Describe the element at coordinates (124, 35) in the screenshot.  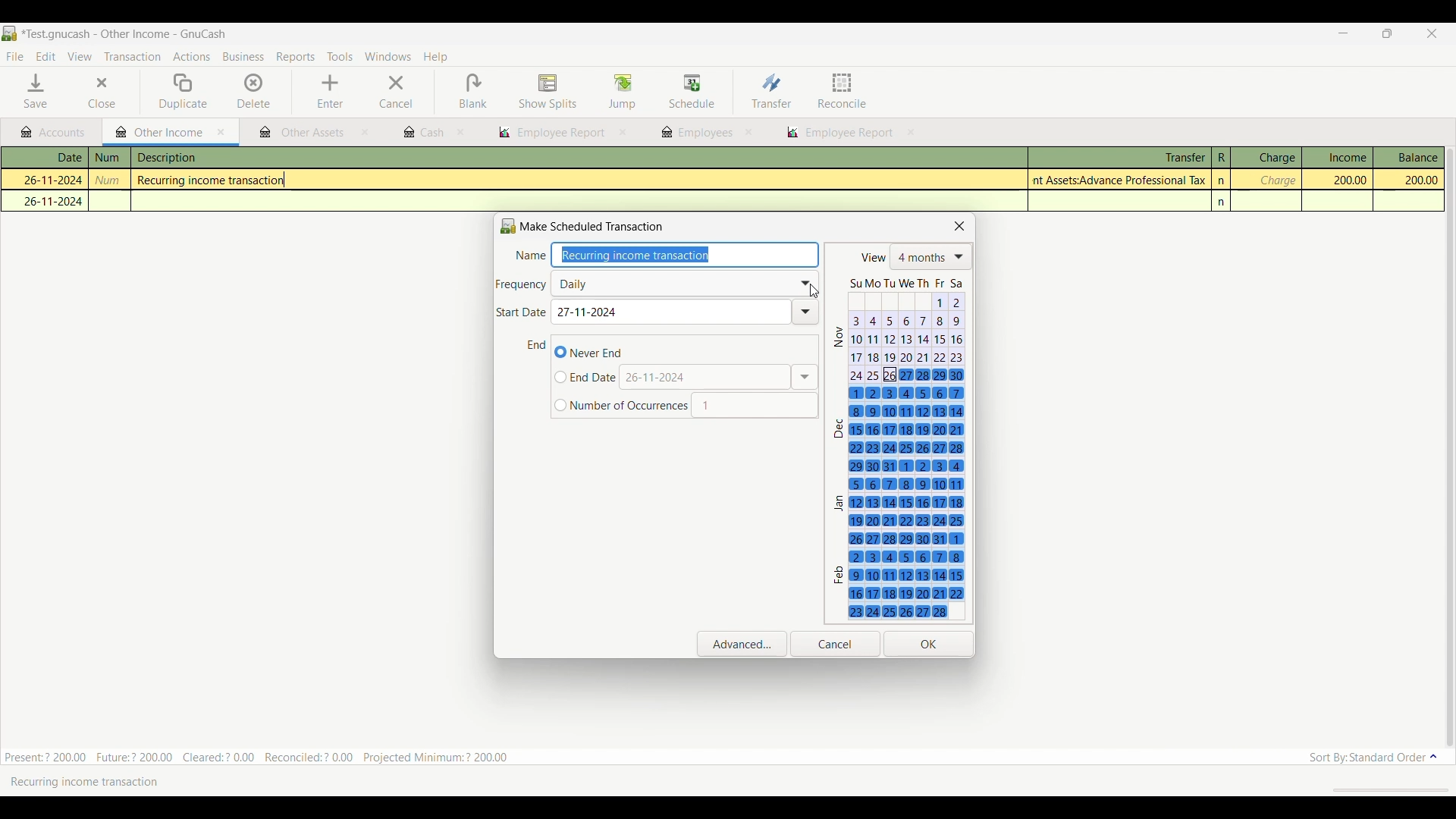
I see `Project and software name ` at that location.